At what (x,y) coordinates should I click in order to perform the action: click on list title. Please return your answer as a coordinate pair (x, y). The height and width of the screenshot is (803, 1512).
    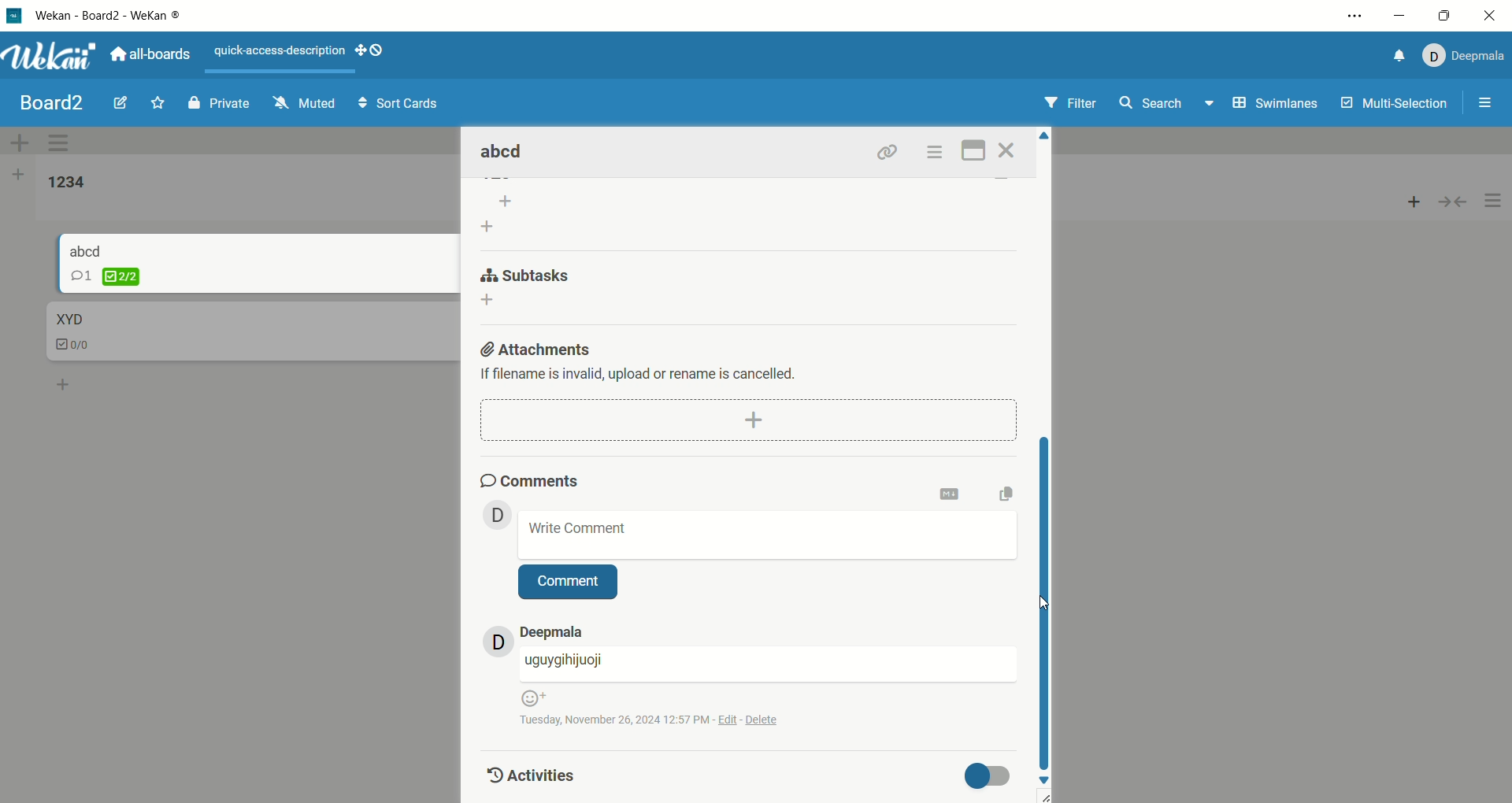
    Looking at the image, I should click on (67, 183).